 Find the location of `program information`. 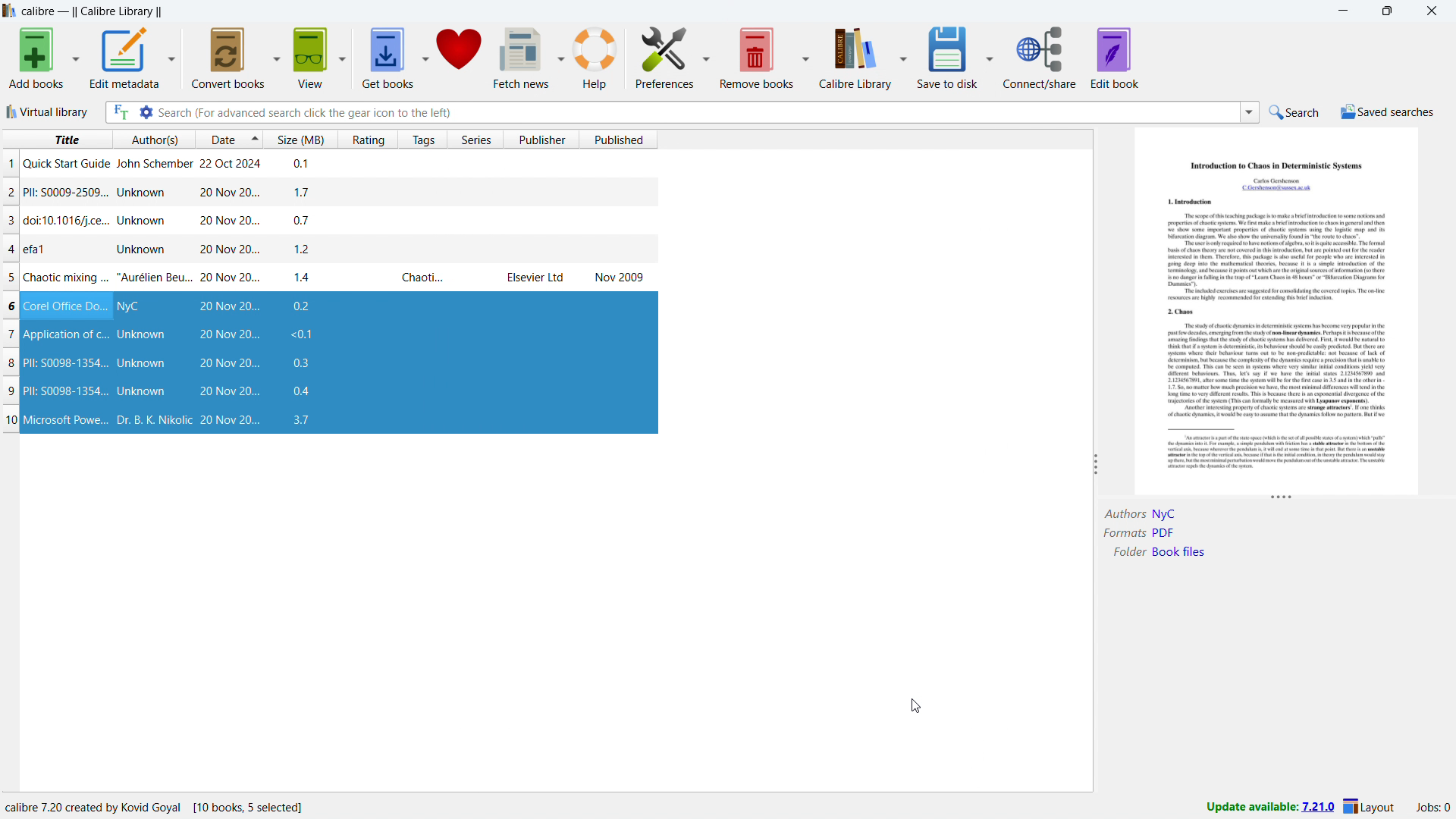

program information is located at coordinates (170, 806).